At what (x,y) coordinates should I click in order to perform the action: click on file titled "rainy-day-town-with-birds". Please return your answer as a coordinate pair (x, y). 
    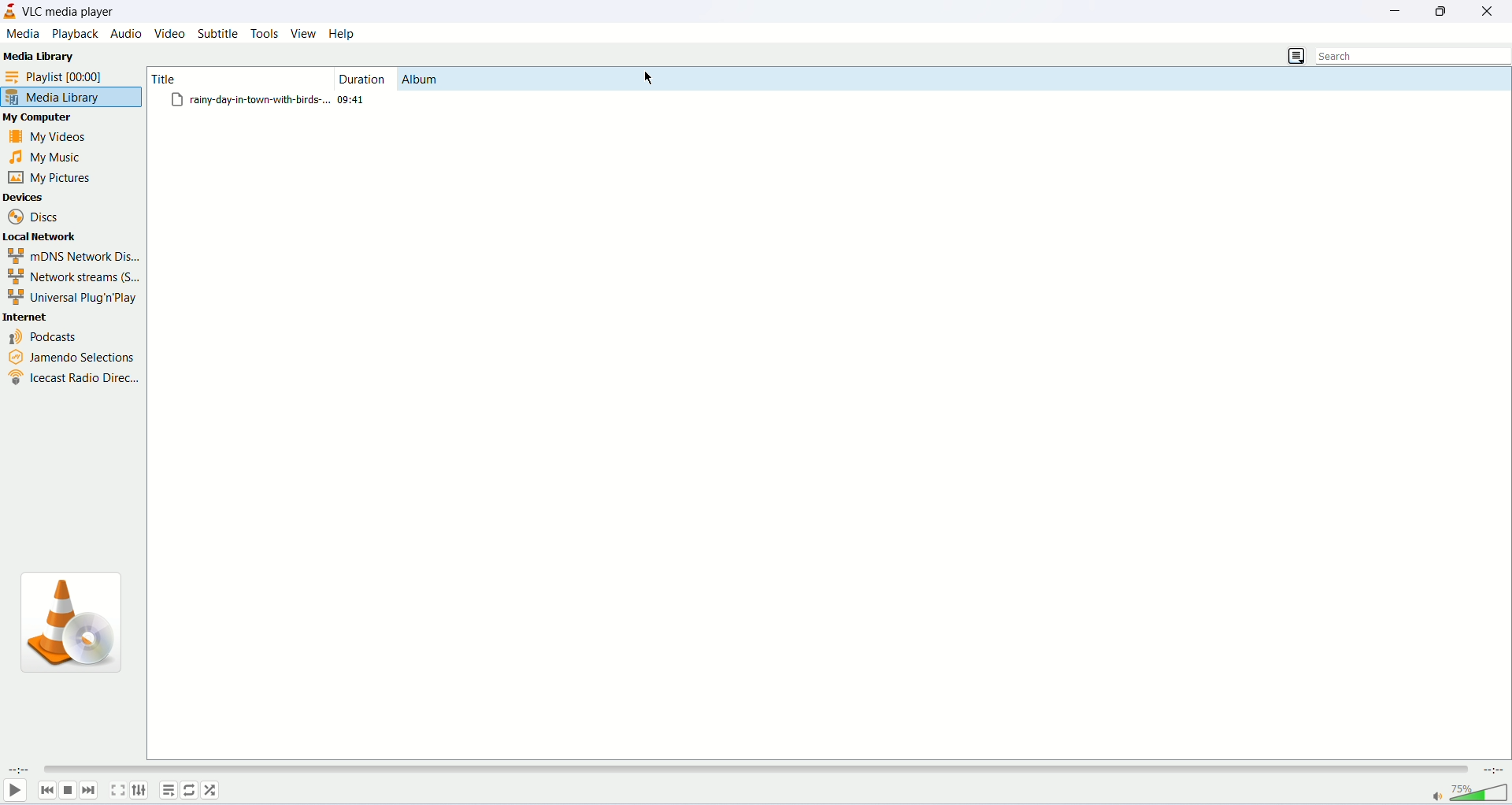
    Looking at the image, I should click on (242, 102).